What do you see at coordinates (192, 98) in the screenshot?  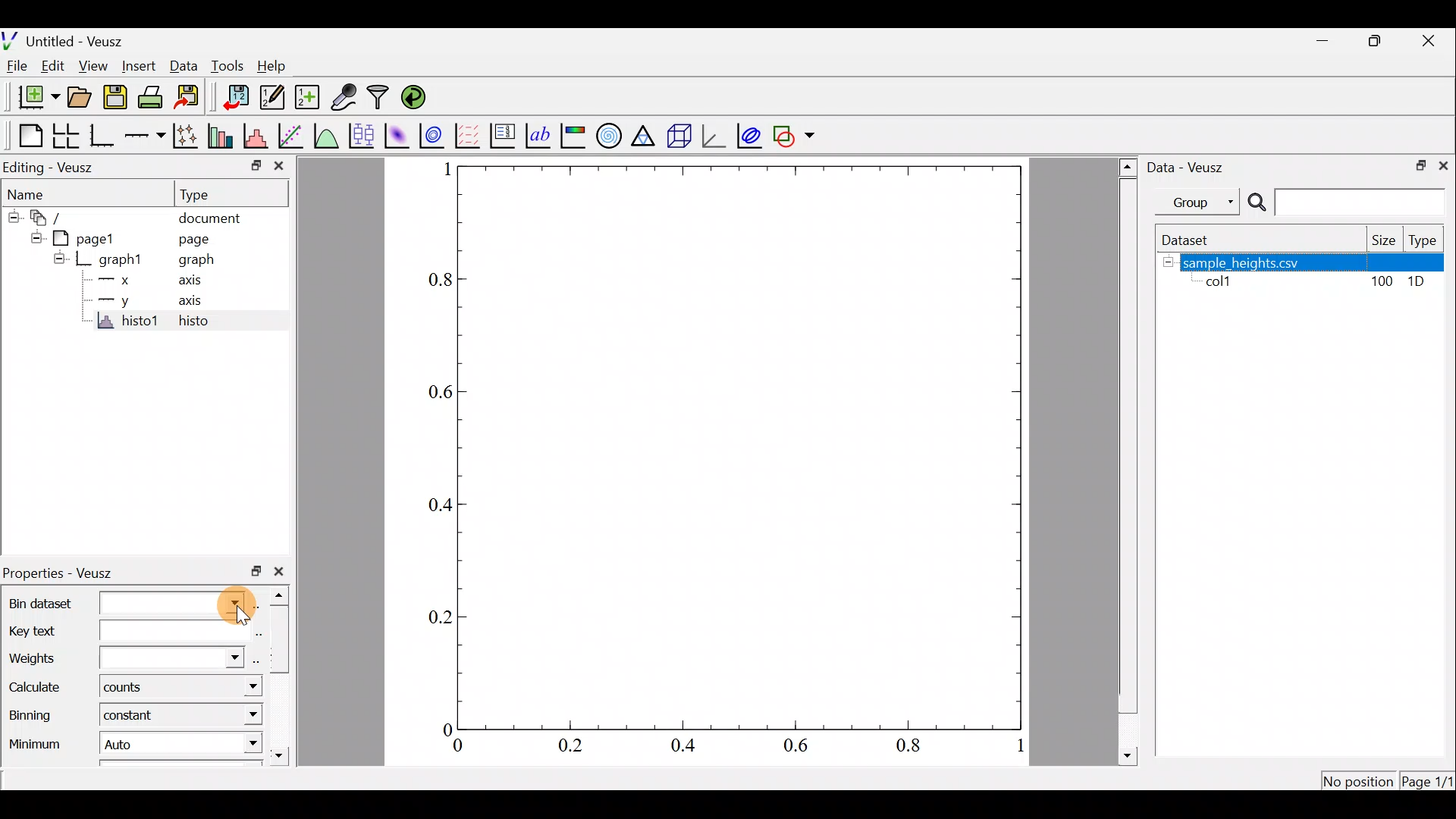 I see `Export to graphics format` at bounding box center [192, 98].